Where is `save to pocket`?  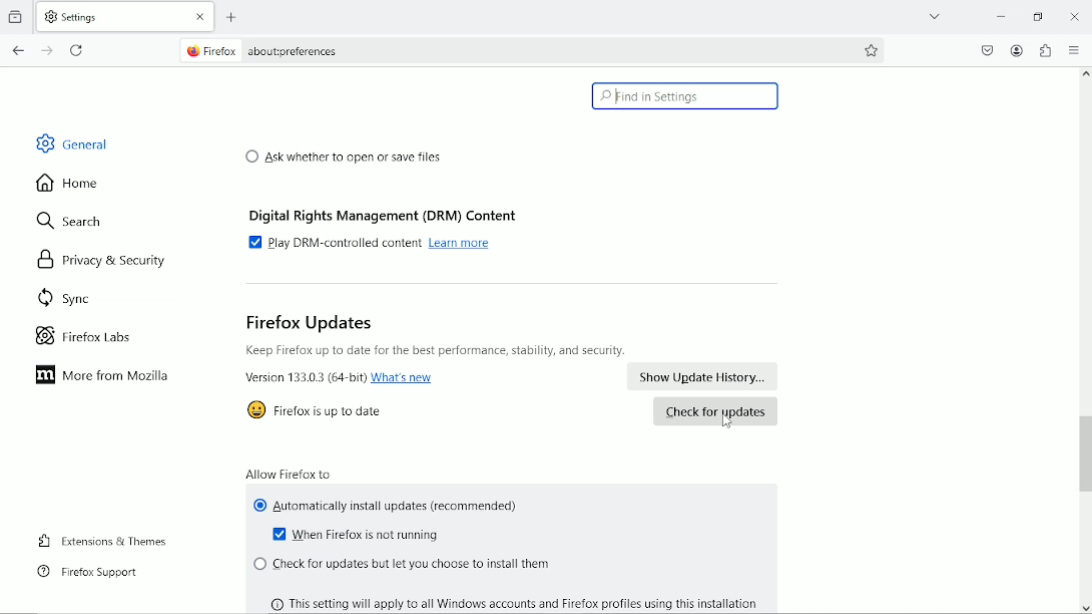
save to pocket is located at coordinates (988, 50).